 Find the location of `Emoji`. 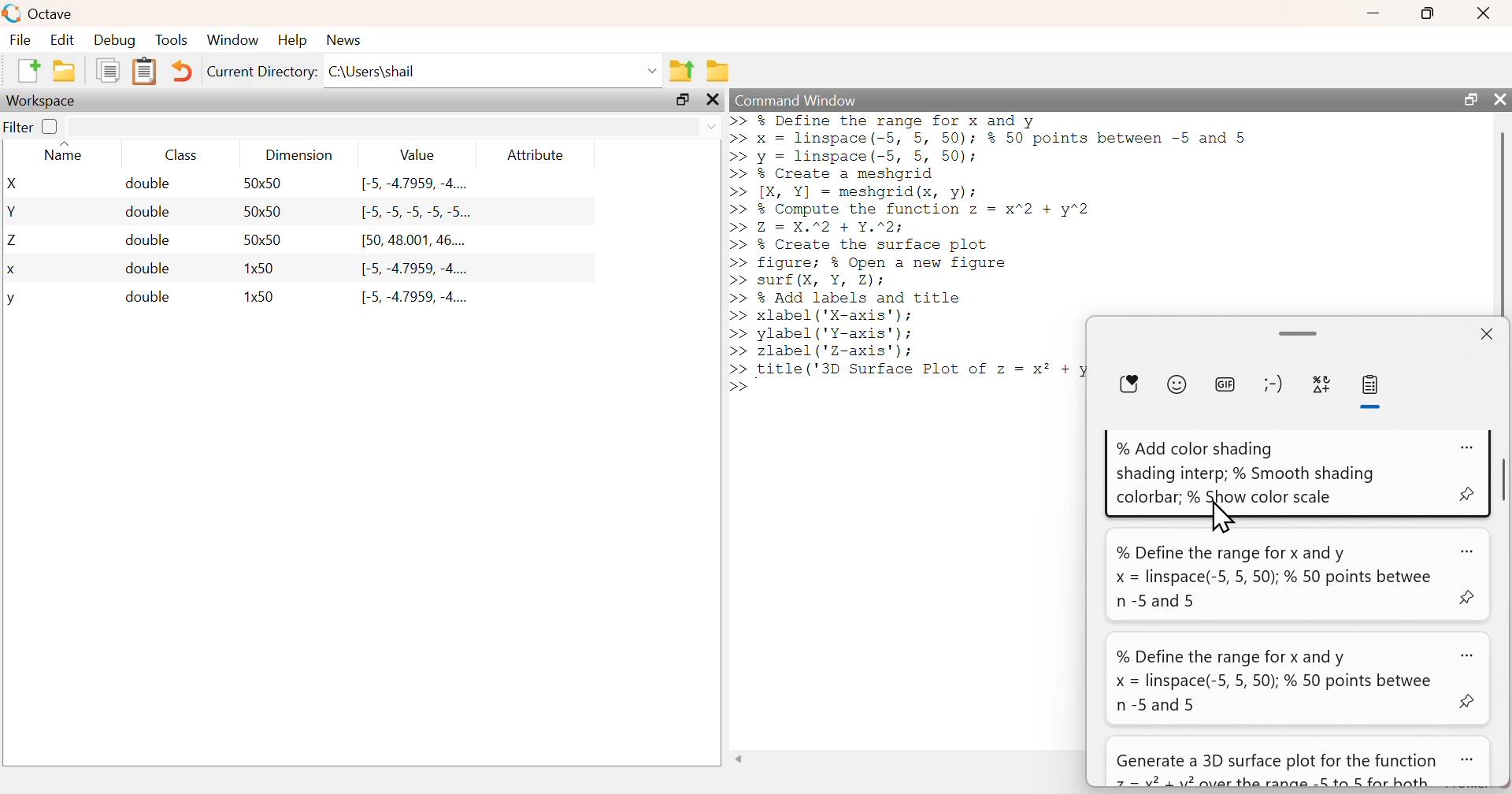

Emoji is located at coordinates (1177, 384).